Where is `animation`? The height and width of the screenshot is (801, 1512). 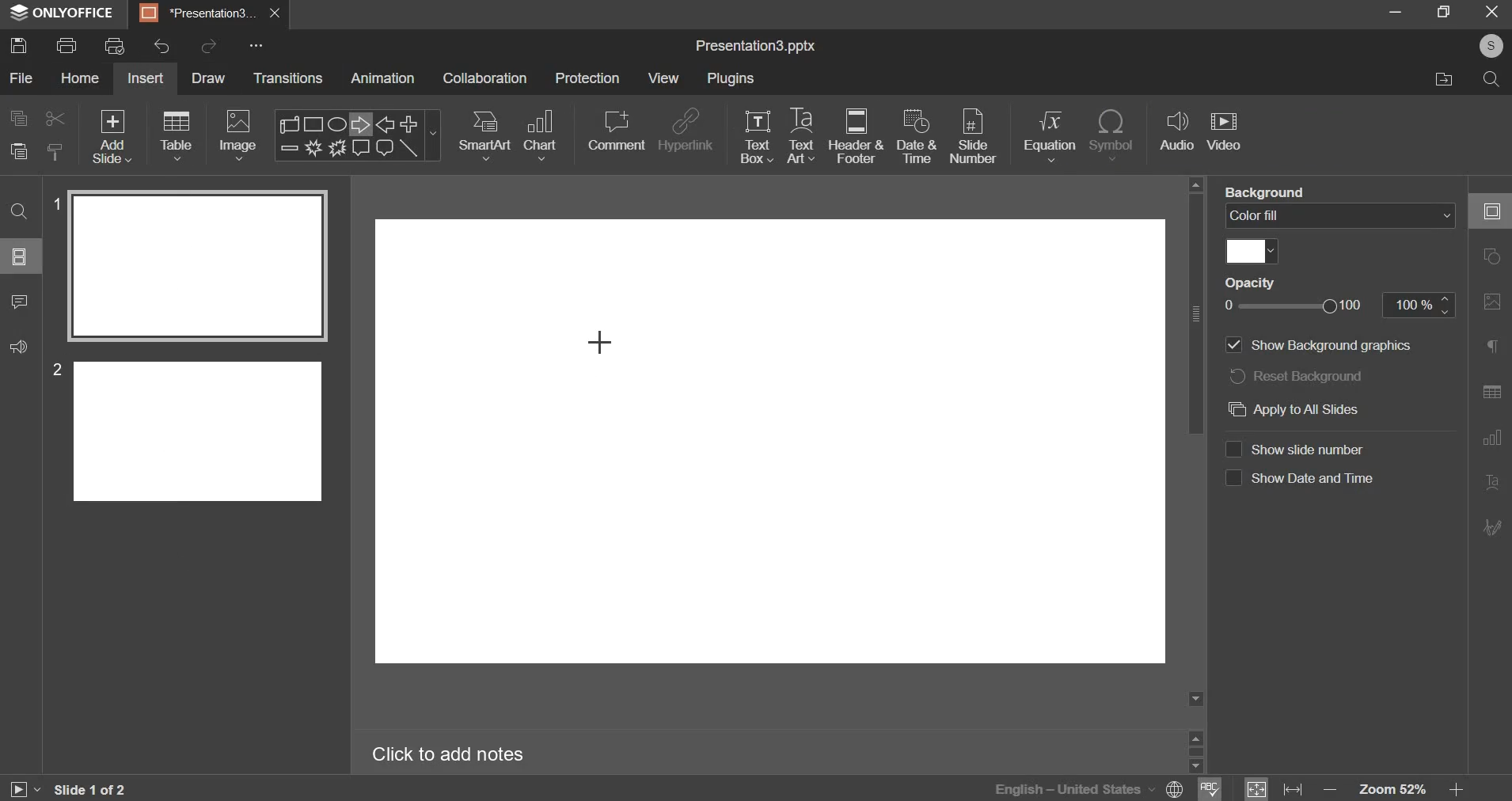
animation is located at coordinates (382, 78).